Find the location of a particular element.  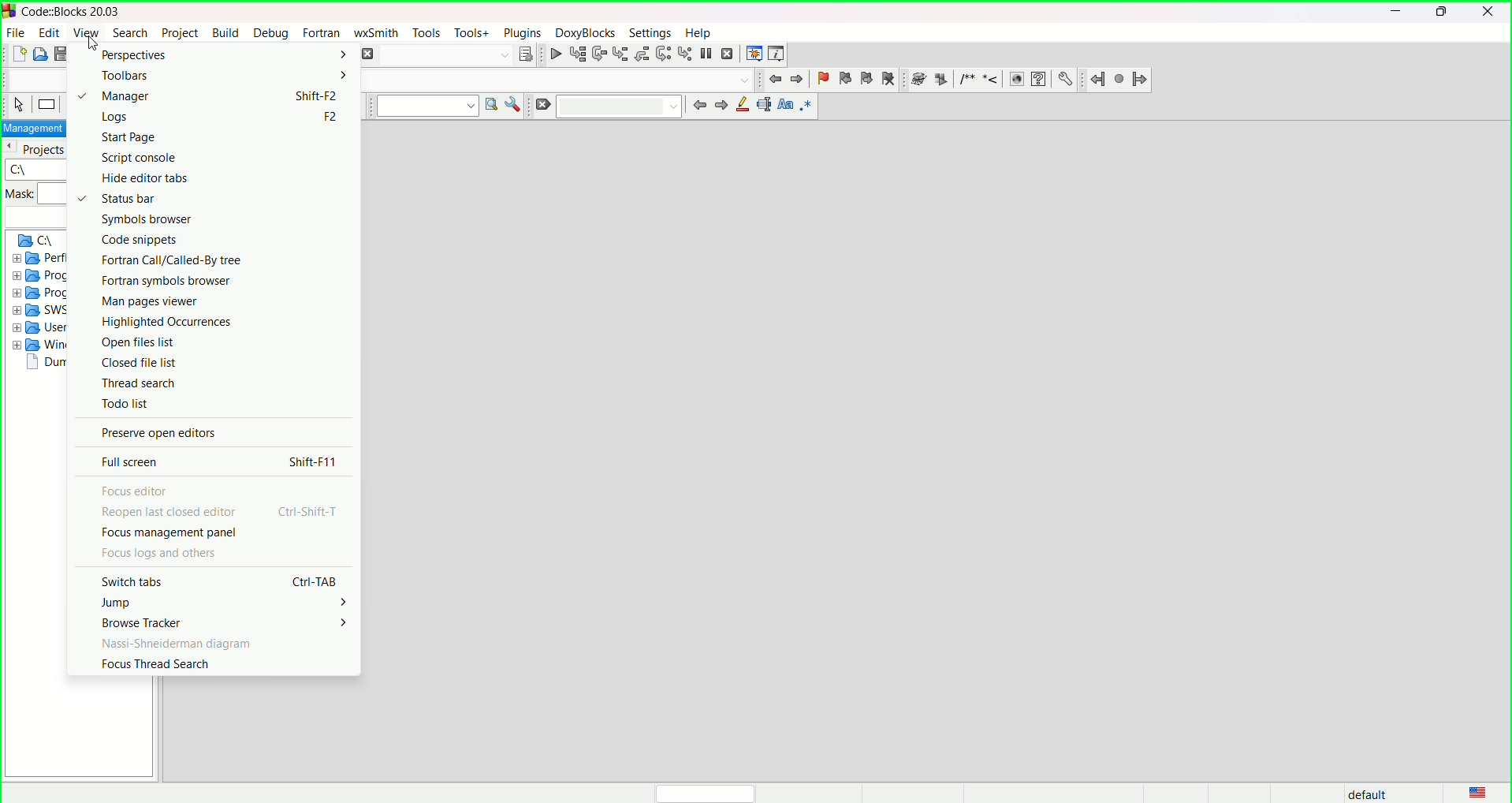

jump forward is located at coordinates (1139, 80).